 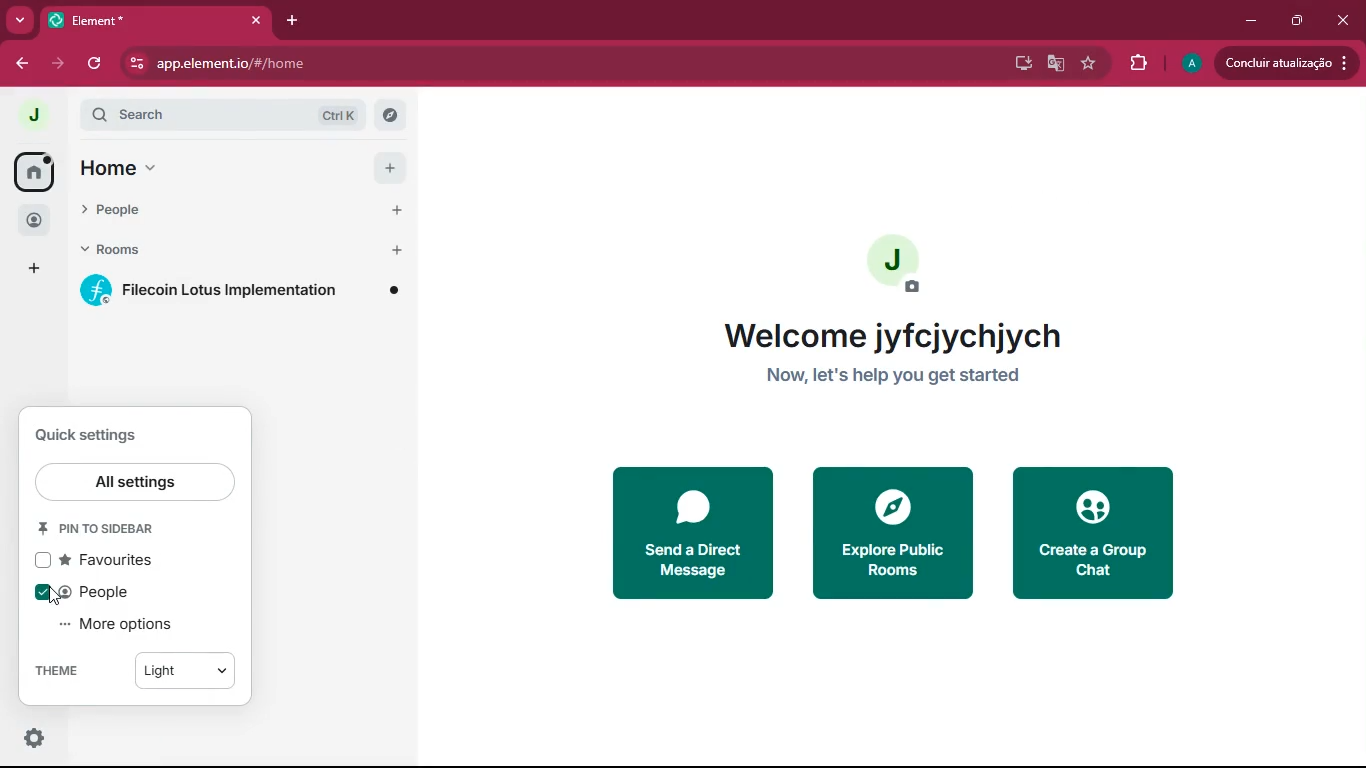 What do you see at coordinates (126, 625) in the screenshot?
I see `more options` at bounding box center [126, 625].